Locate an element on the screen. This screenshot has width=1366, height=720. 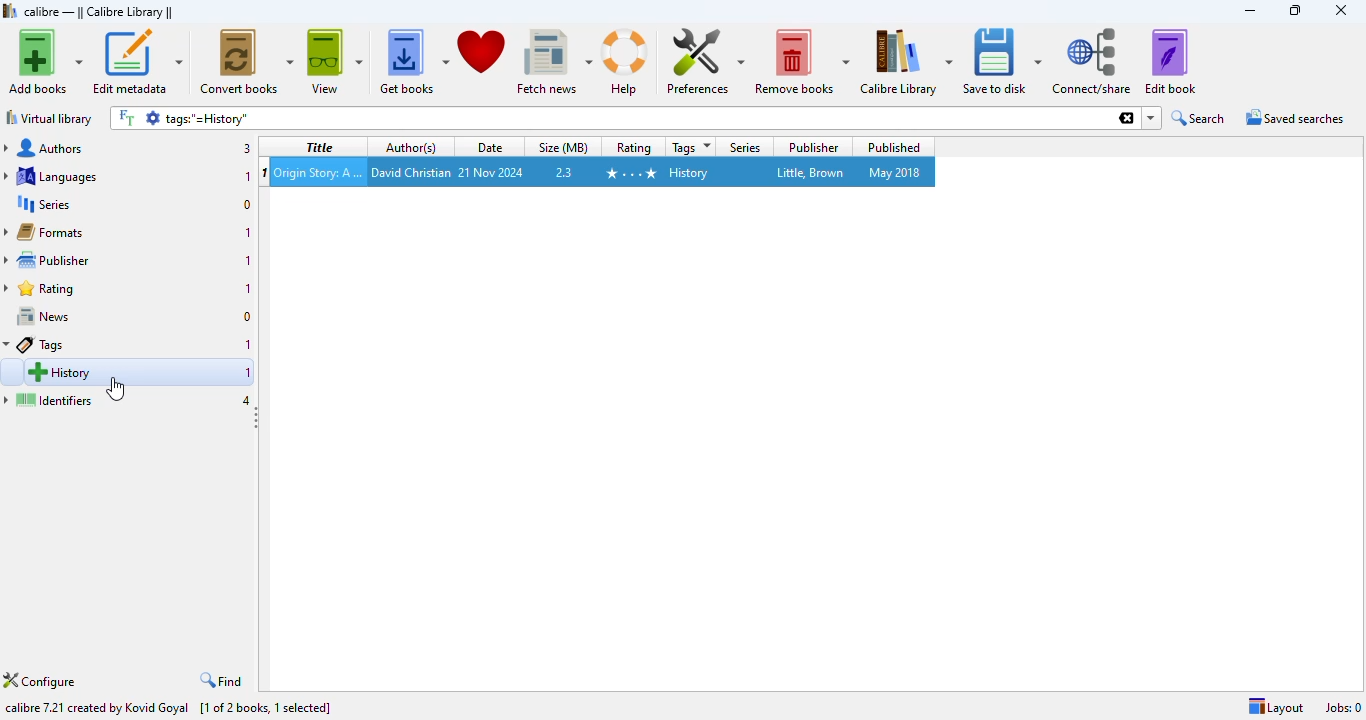
preferences is located at coordinates (705, 60).